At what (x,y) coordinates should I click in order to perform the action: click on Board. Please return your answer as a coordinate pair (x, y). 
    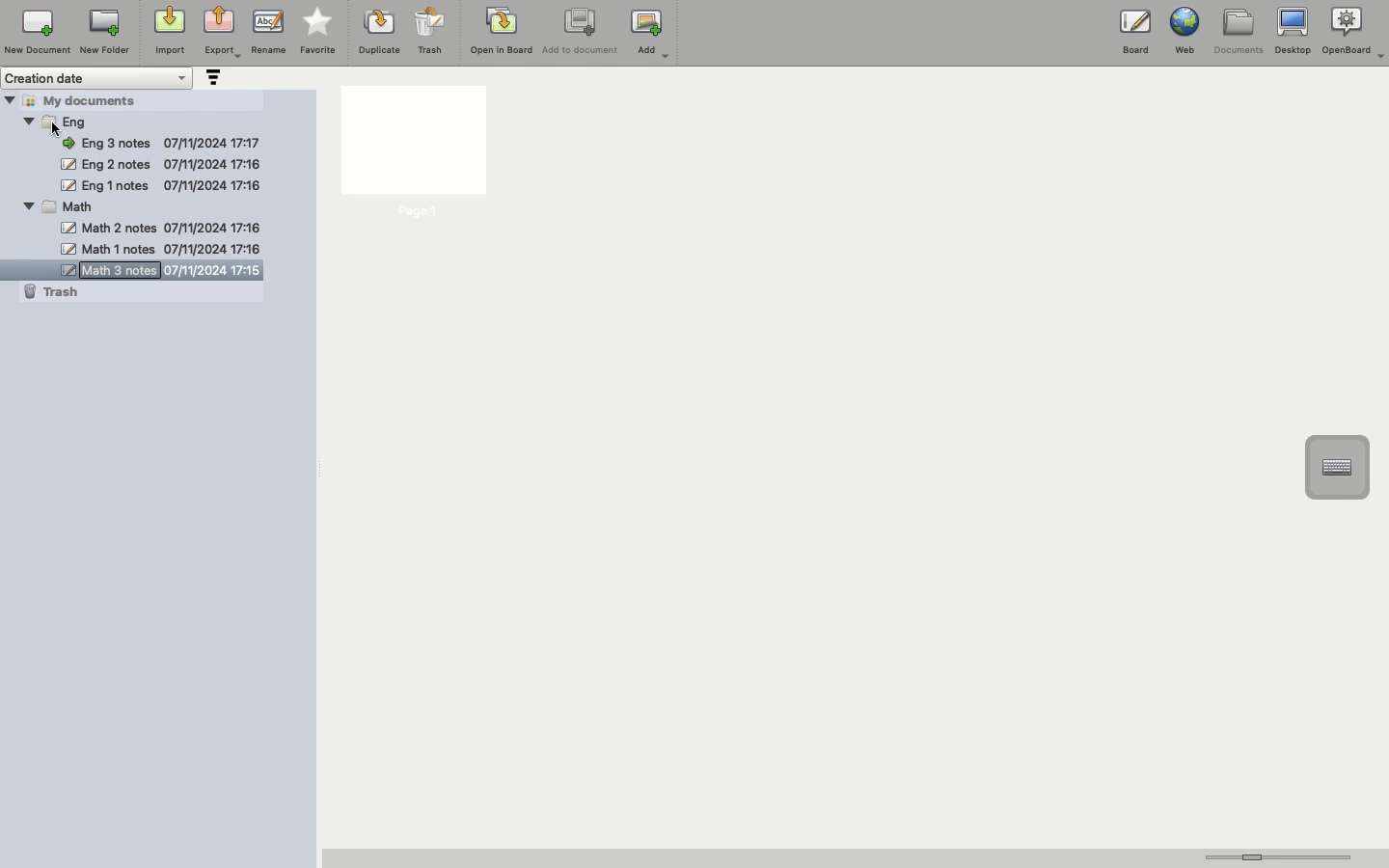
    Looking at the image, I should click on (1135, 36).